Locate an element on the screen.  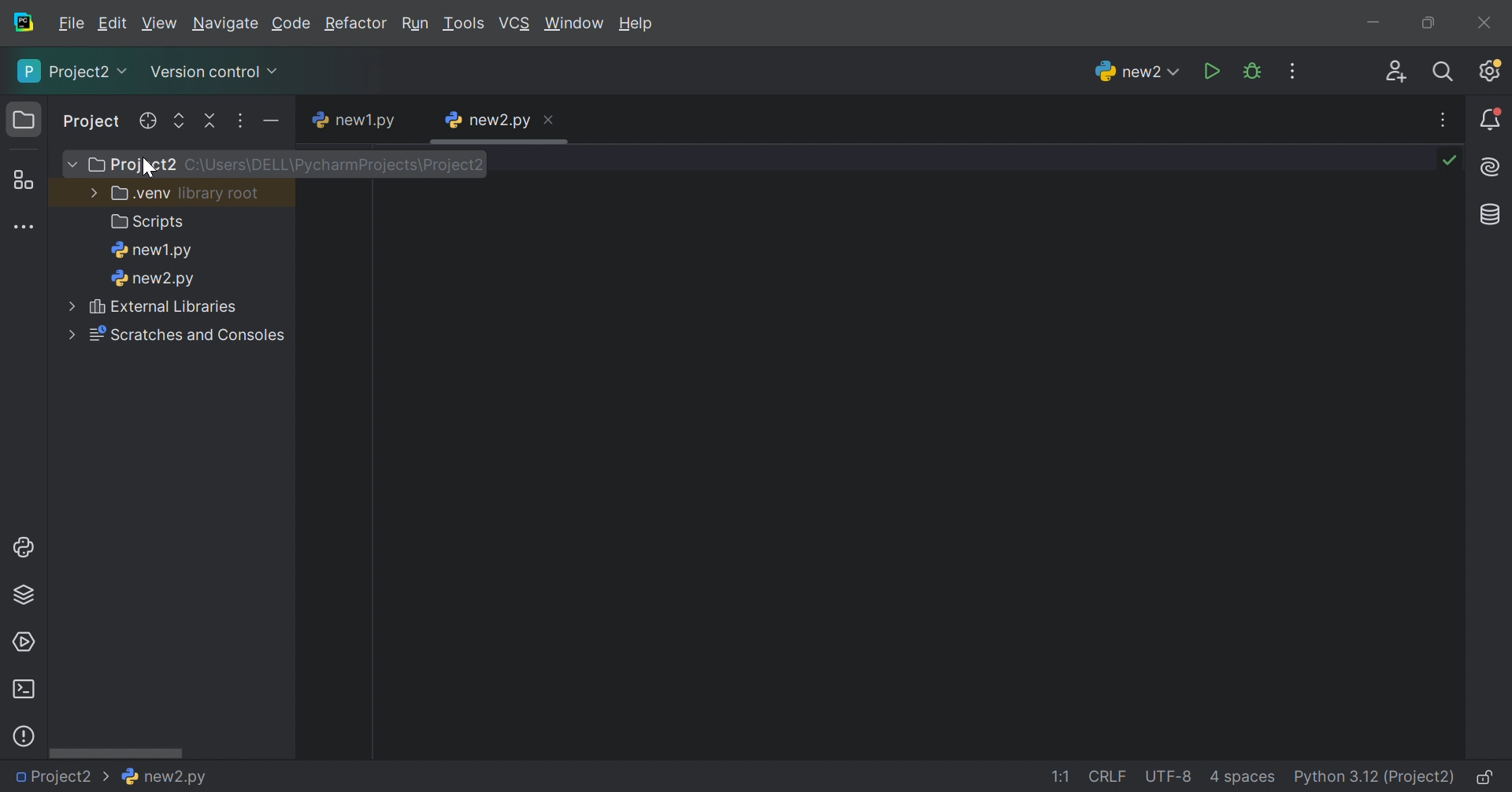
new1.py is located at coordinates (353, 121).